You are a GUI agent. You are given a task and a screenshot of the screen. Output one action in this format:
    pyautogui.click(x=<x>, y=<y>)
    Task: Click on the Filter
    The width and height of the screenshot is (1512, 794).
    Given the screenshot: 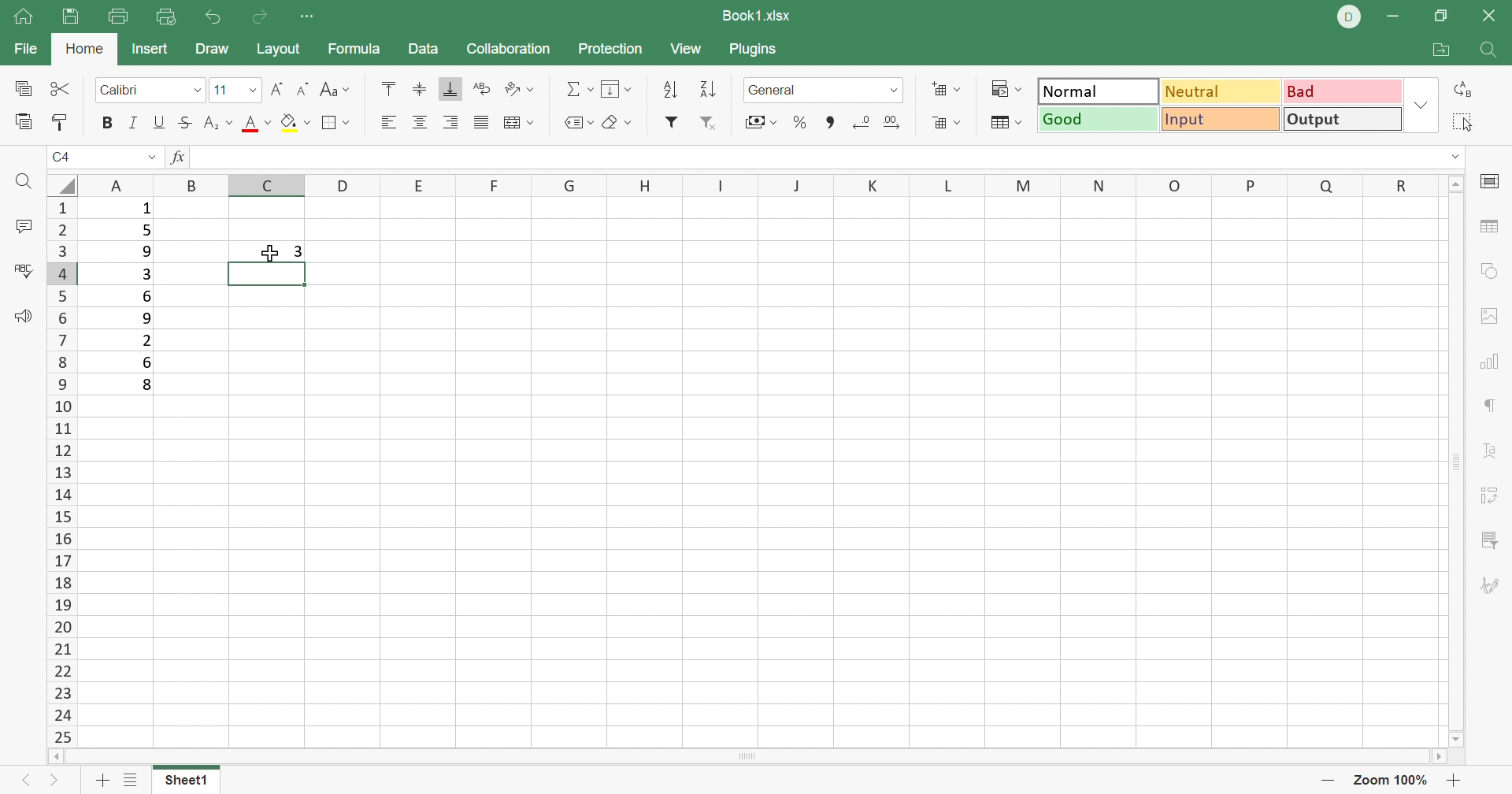 What is the action you would take?
    pyautogui.click(x=672, y=121)
    